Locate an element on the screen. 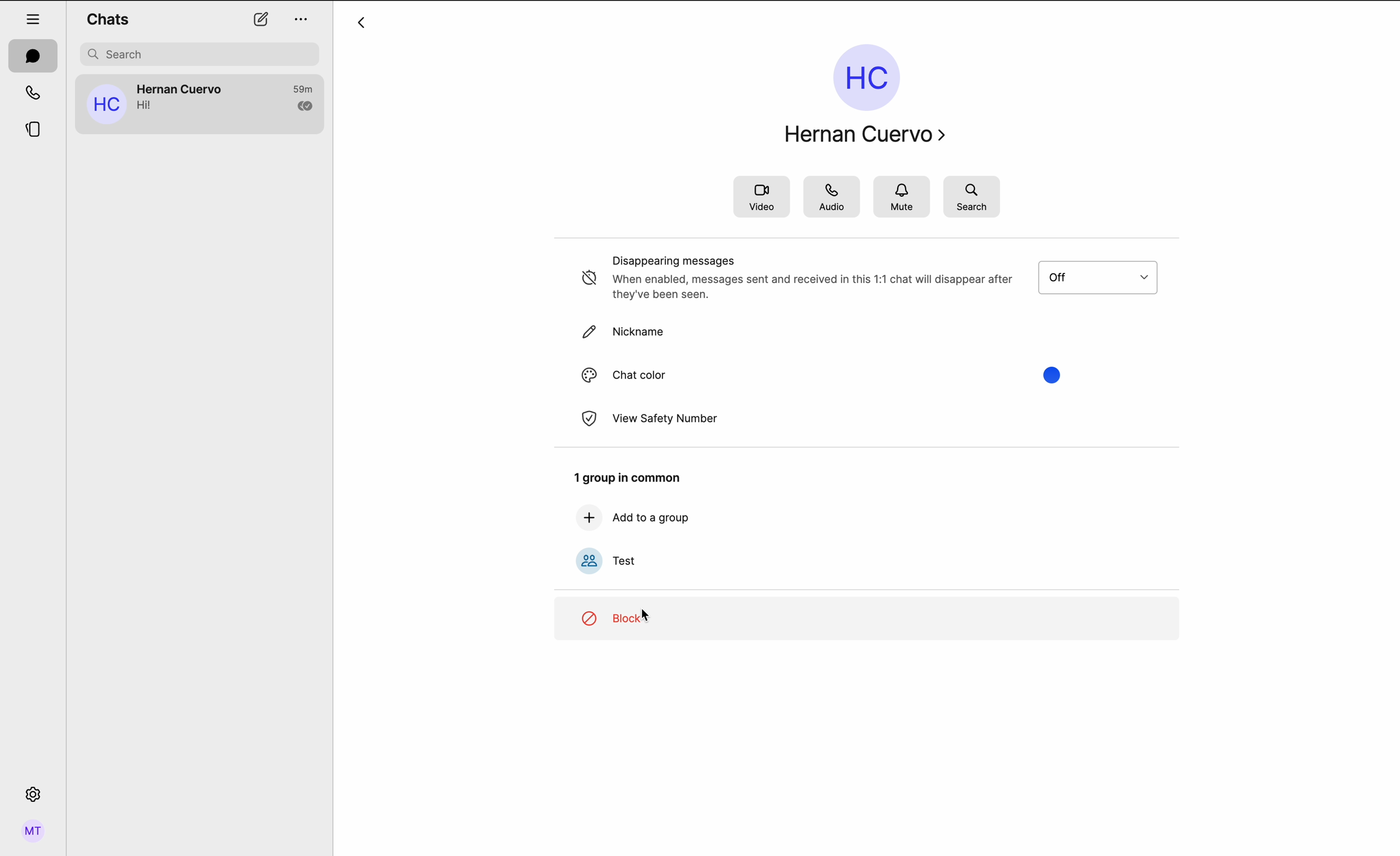 The height and width of the screenshot is (856, 1400). calls is located at coordinates (35, 93).